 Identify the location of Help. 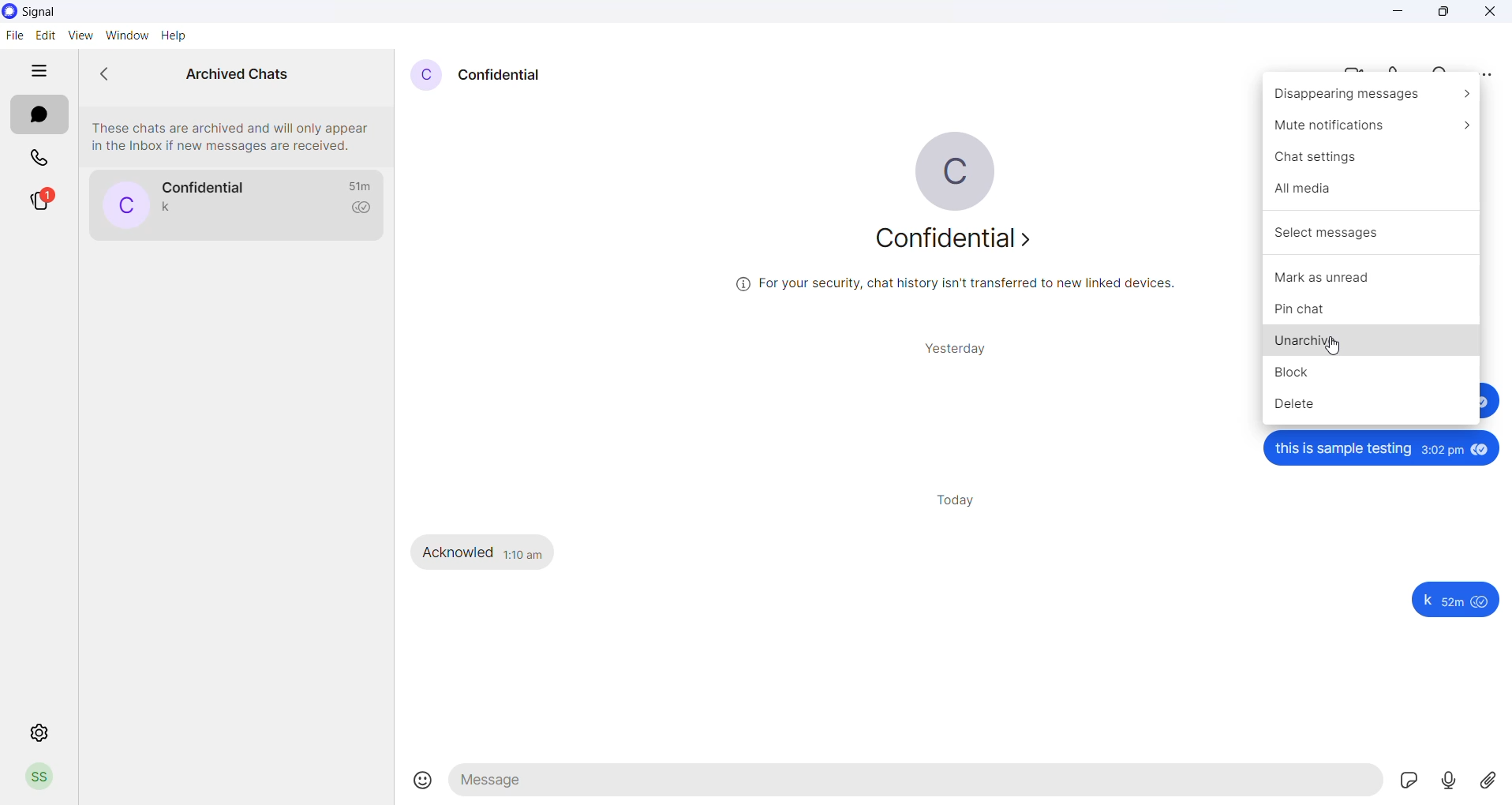
(175, 36).